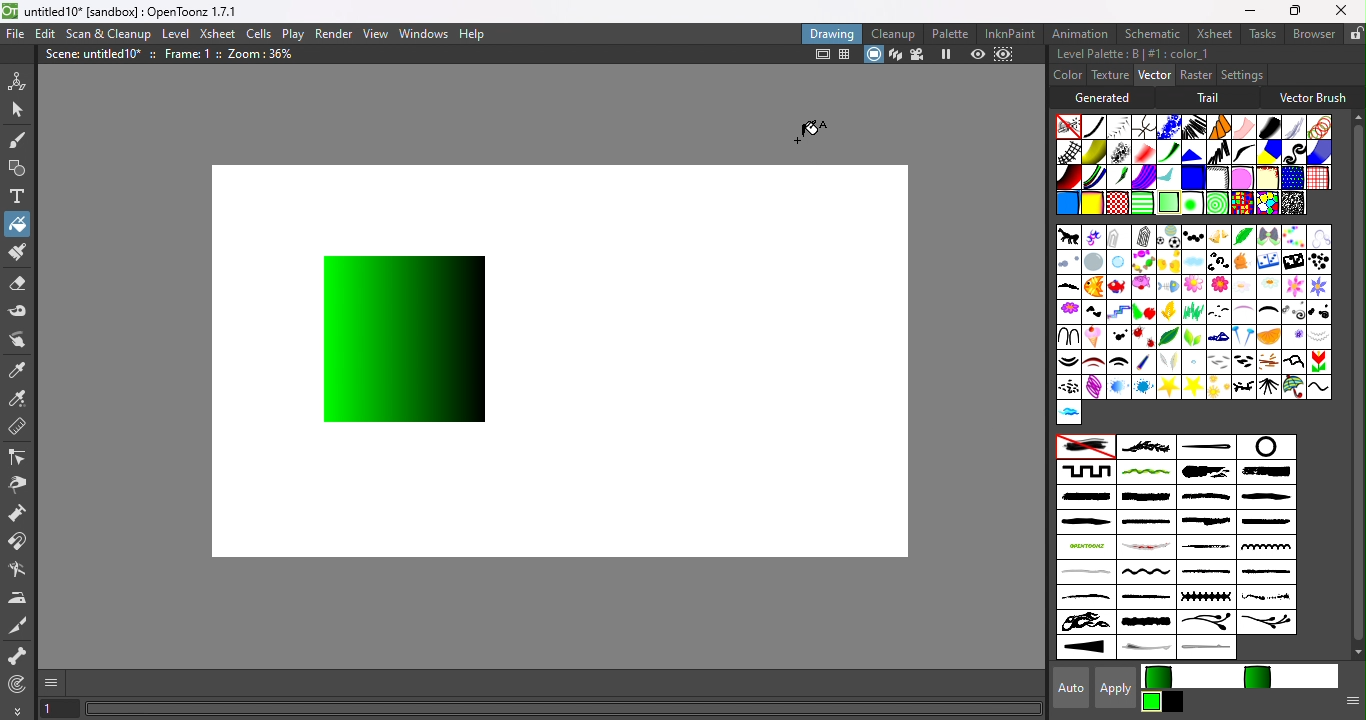 The image size is (1366, 720). What do you see at coordinates (1268, 362) in the screenshot?
I see `sang` at bounding box center [1268, 362].